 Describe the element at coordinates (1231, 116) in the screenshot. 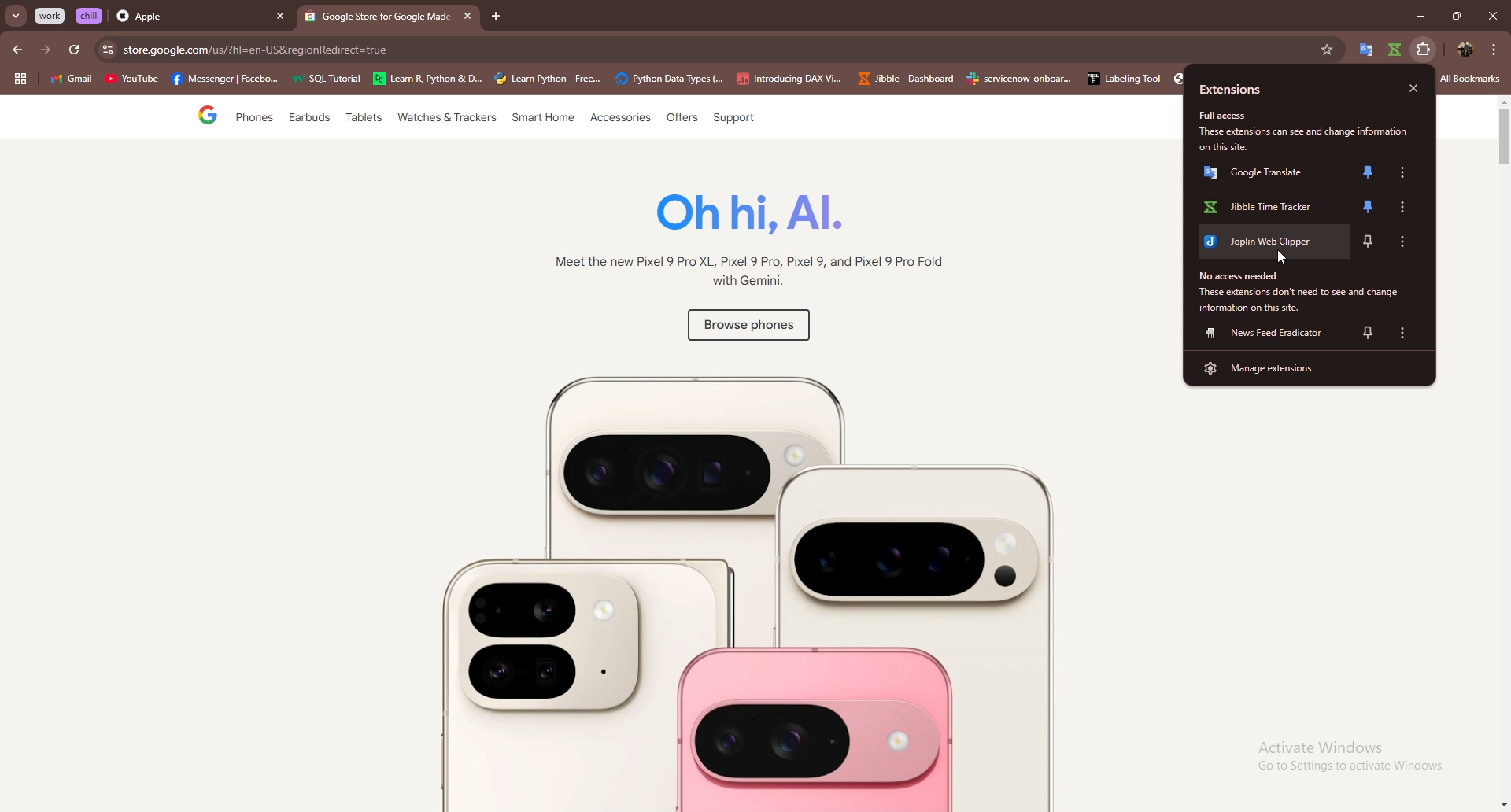

I see `full access` at that location.